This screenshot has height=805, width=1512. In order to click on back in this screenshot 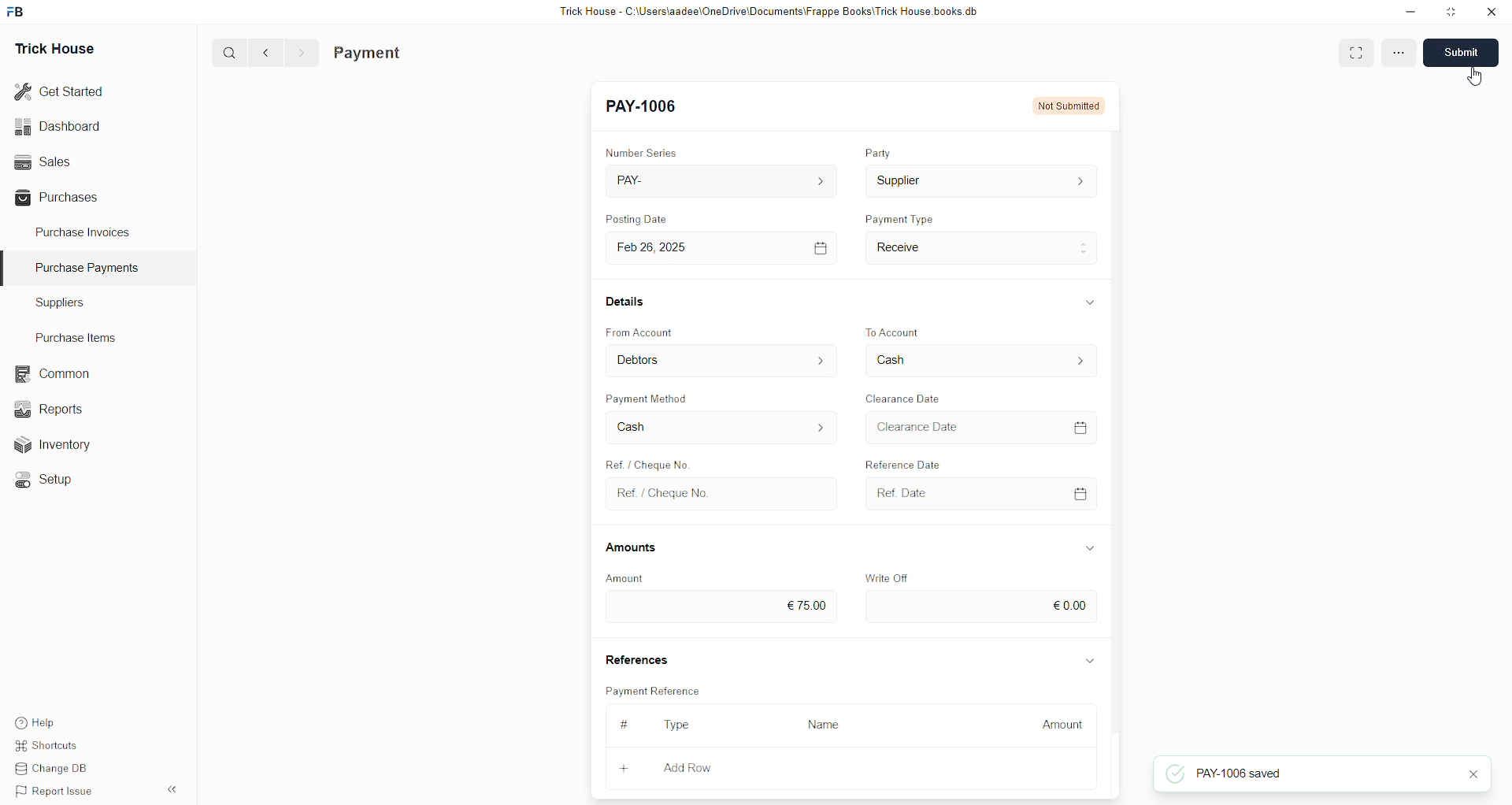, I will do `click(267, 52)`.